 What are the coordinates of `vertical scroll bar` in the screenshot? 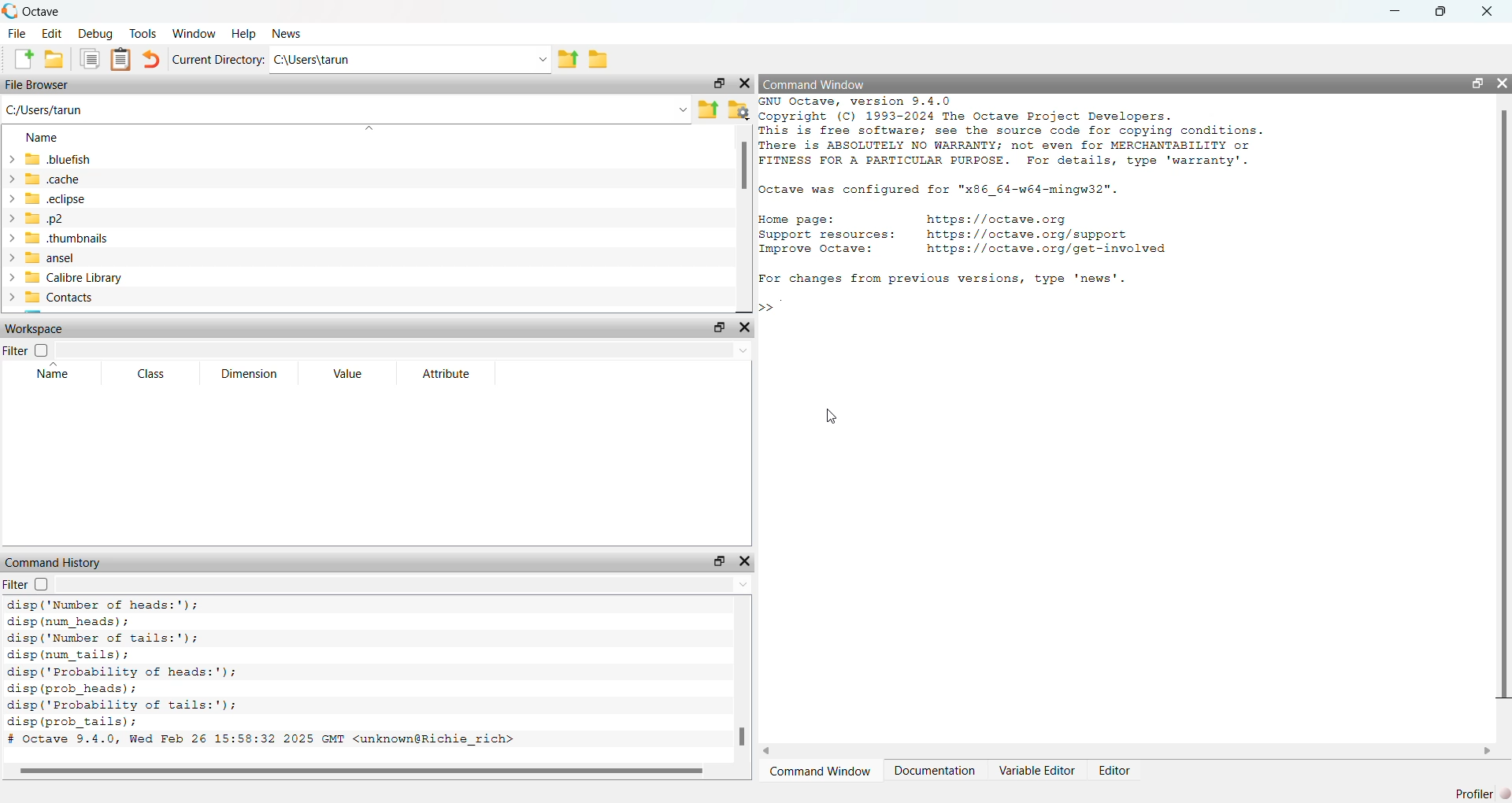 It's located at (743, 679).